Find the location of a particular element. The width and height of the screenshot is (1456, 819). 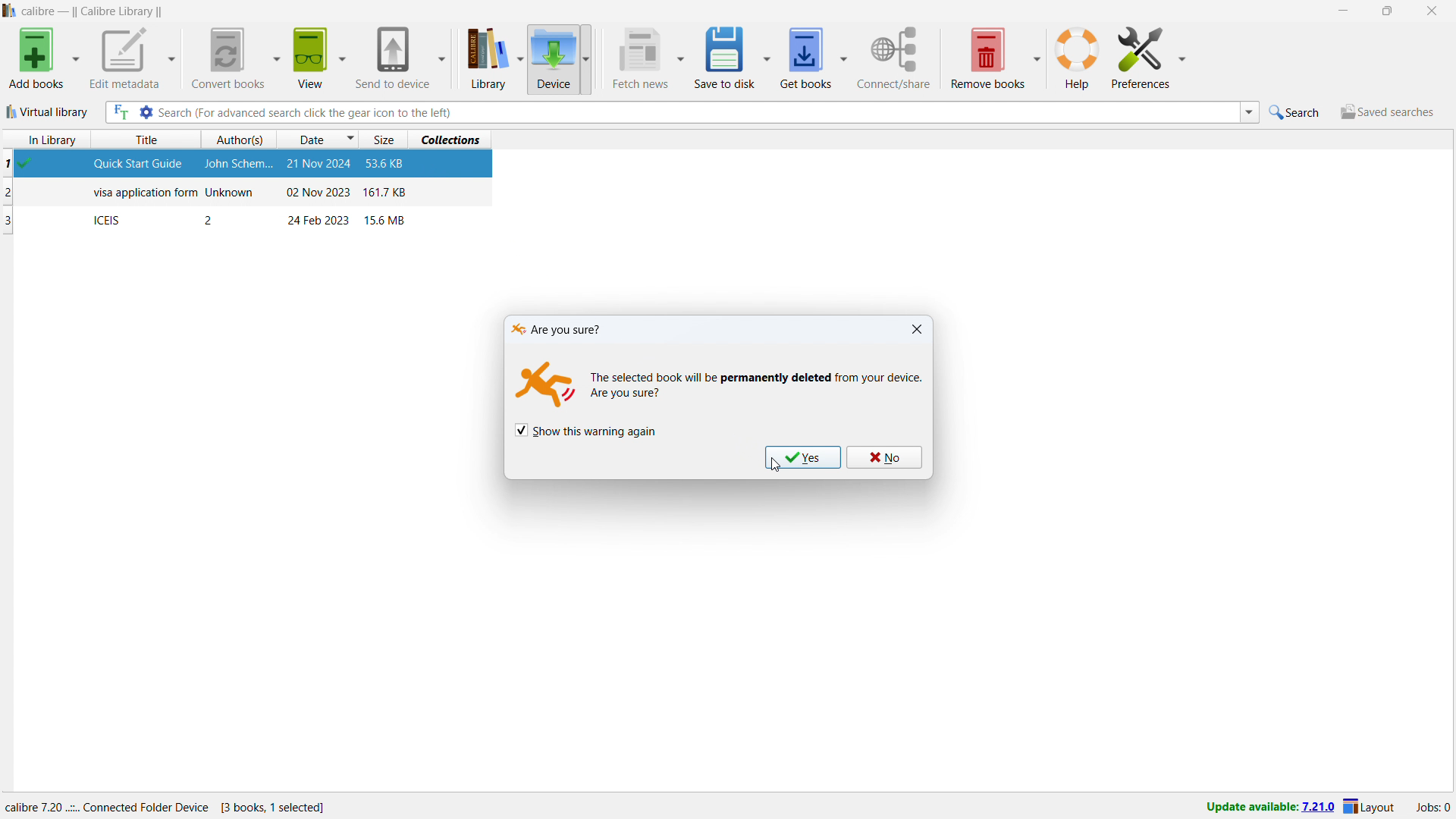

connect/share is located at coordinates (894, 58).